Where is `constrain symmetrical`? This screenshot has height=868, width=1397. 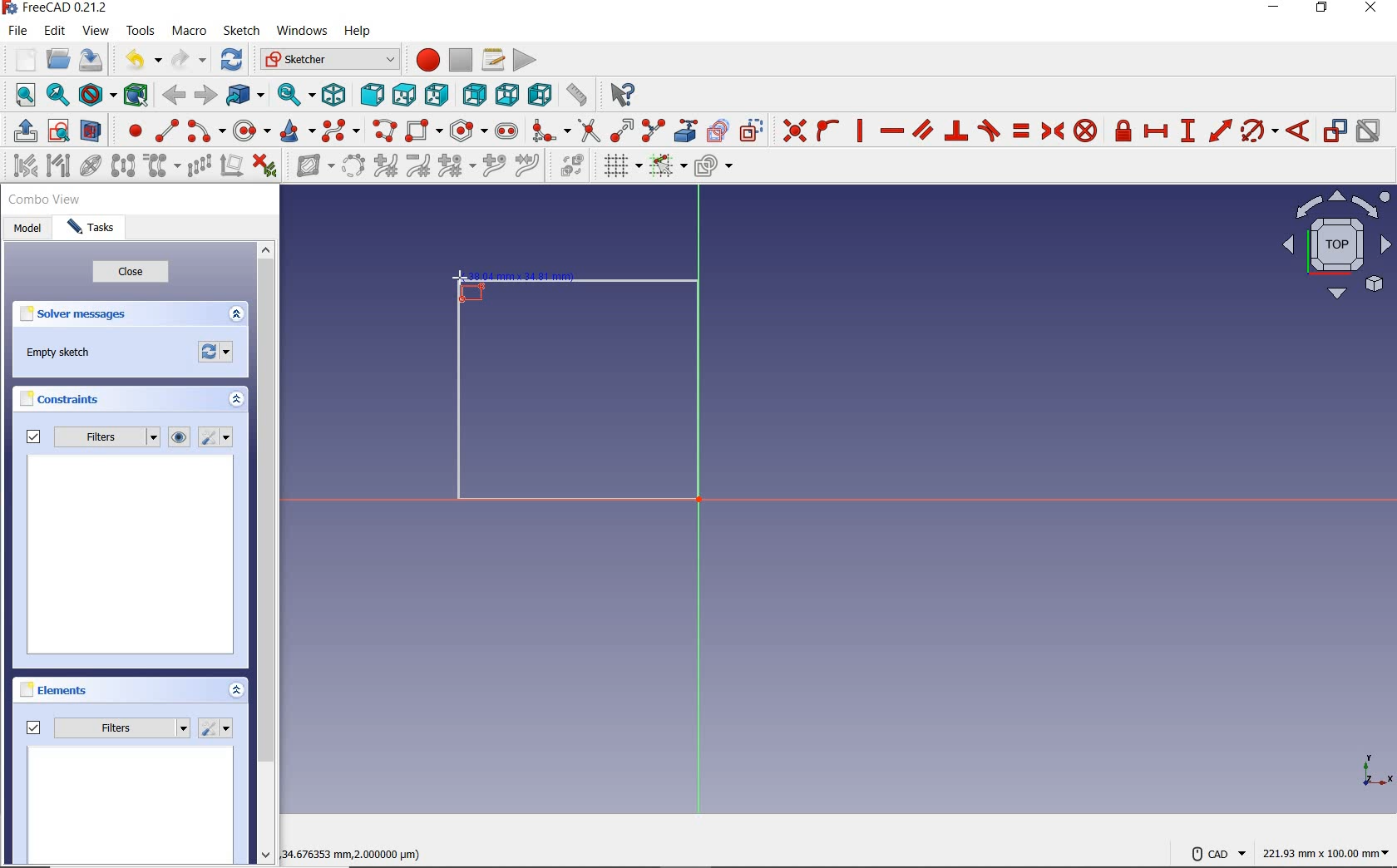 constrain symmetrical is located at coordinates (1054, 131).